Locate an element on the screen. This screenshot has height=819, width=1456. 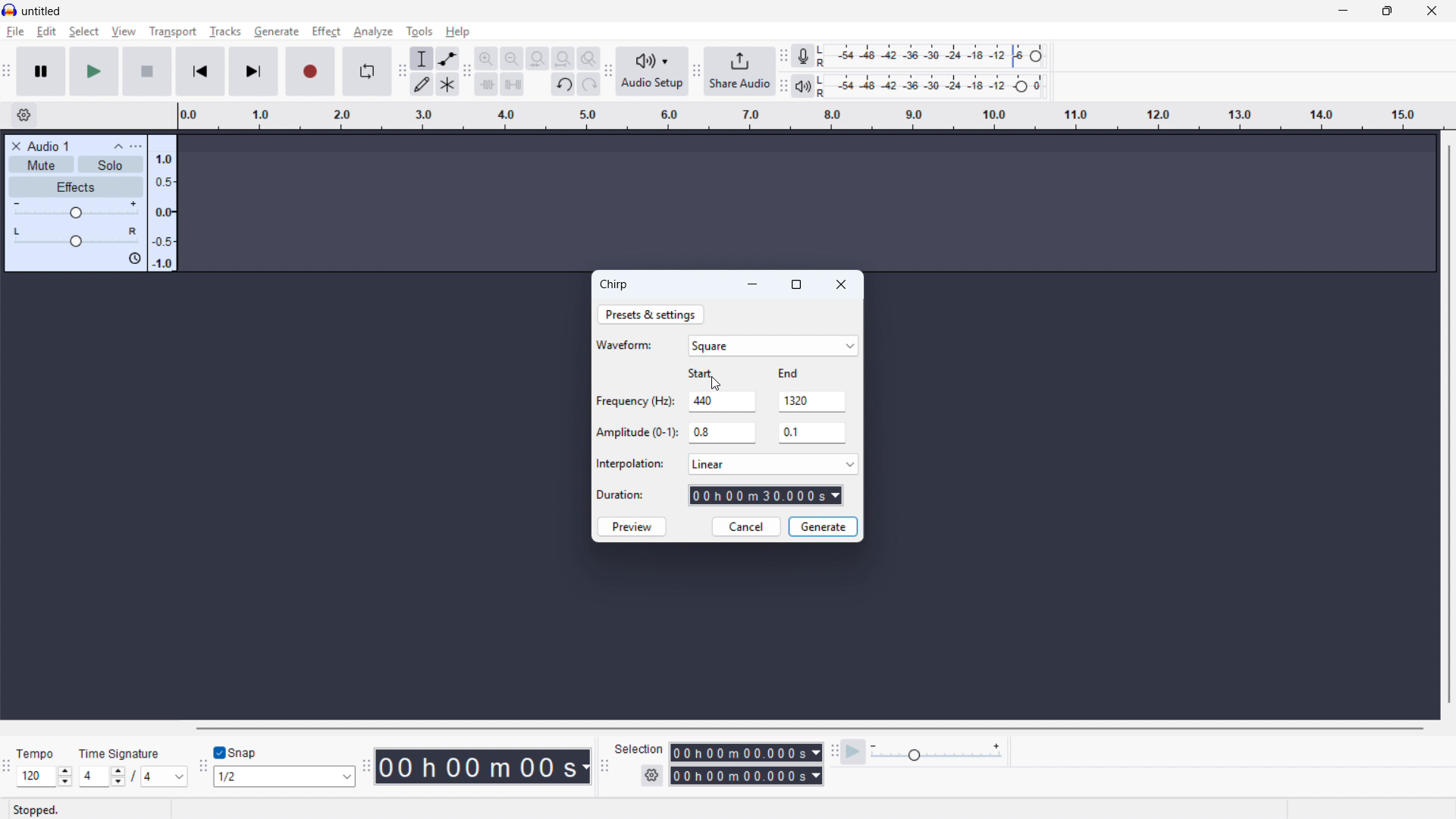
Audio 1 is located at coordinates (49, 146).